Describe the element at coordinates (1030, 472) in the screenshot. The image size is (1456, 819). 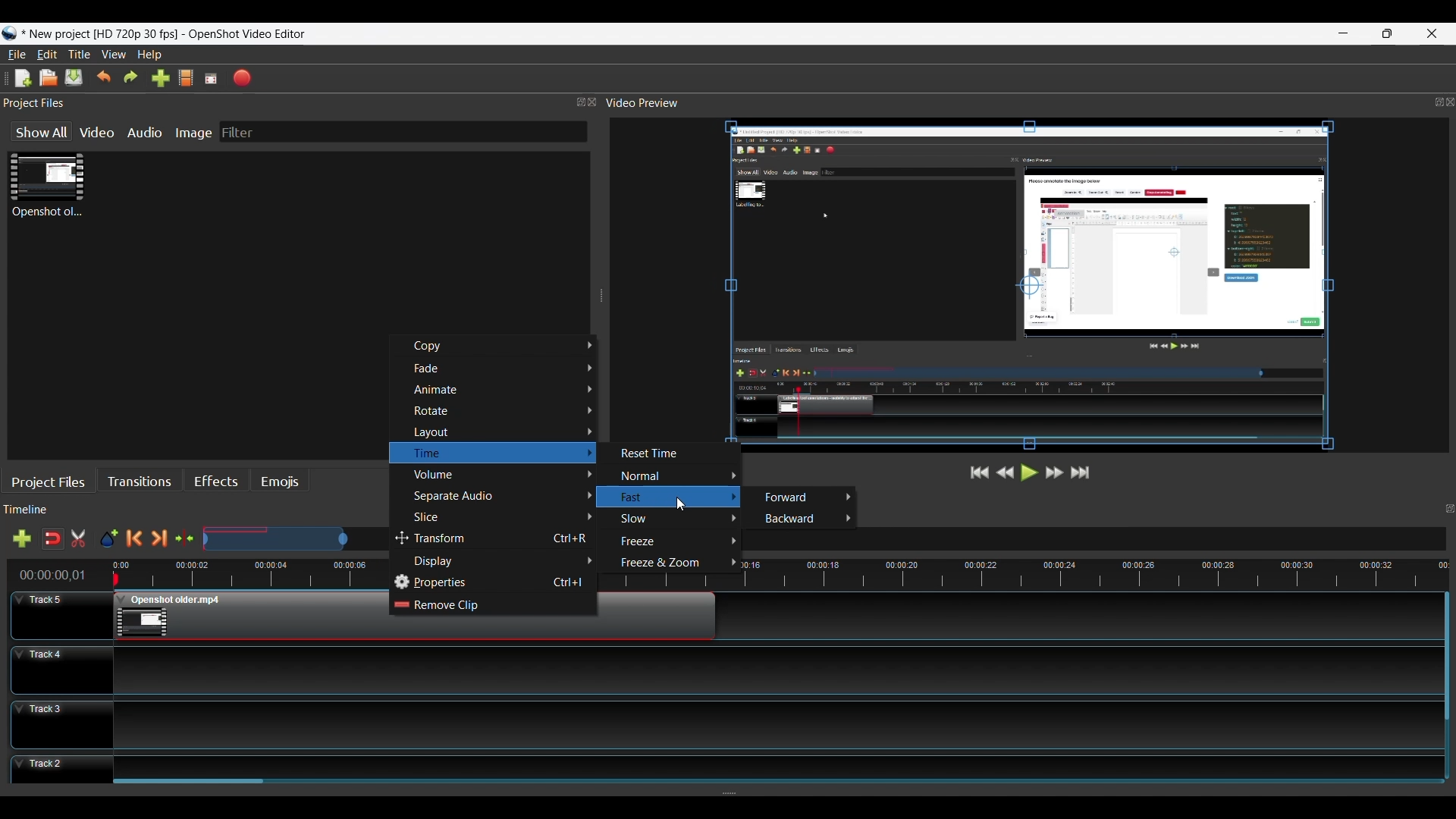
I see `Play` at that location.